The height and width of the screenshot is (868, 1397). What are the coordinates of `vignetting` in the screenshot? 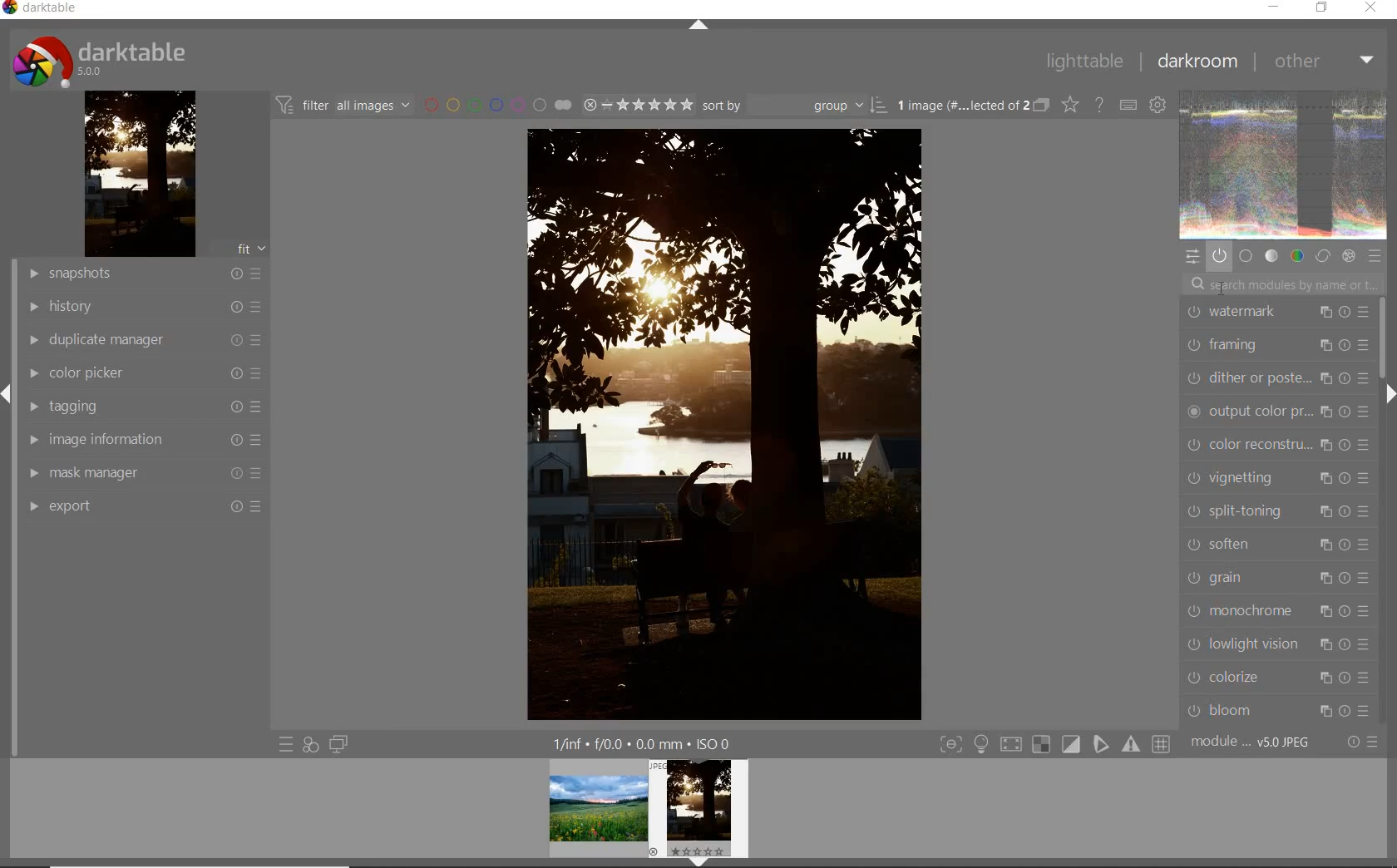 It's located at (1276, 476).